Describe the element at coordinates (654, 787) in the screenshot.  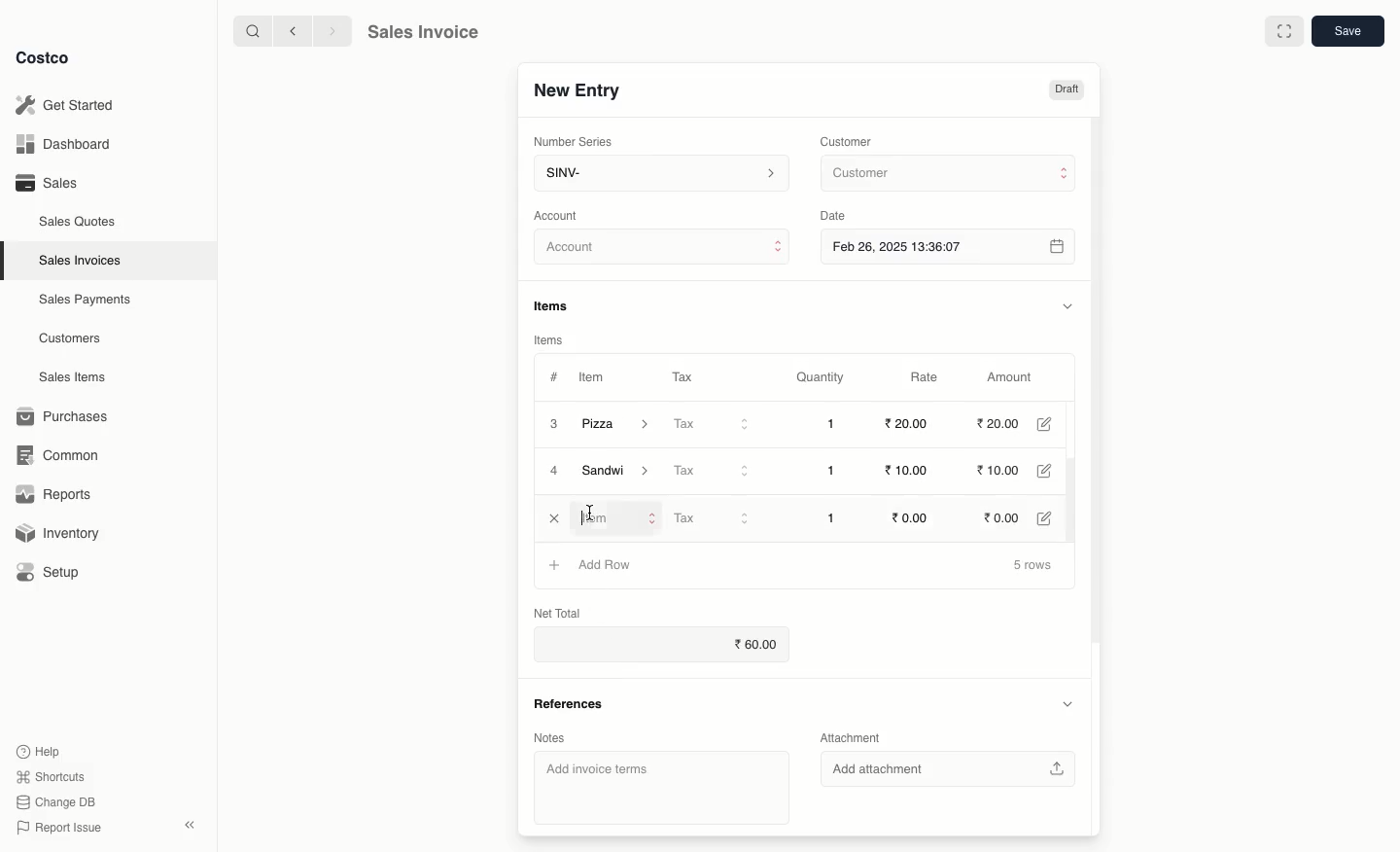
I see `‘Add invoice terms` at that location.